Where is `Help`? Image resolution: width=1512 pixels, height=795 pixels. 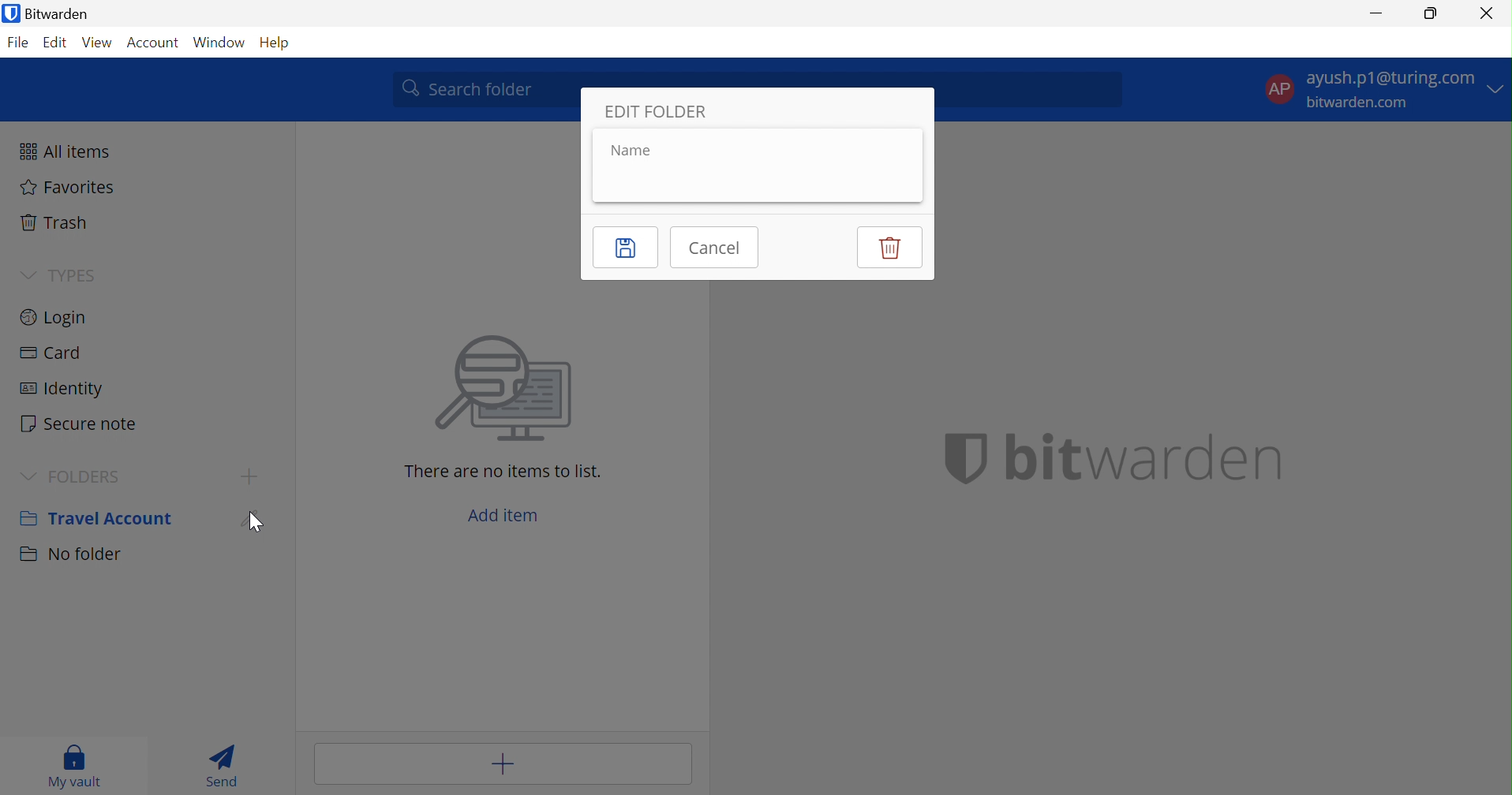 Help is located at coordinates (271, 43).